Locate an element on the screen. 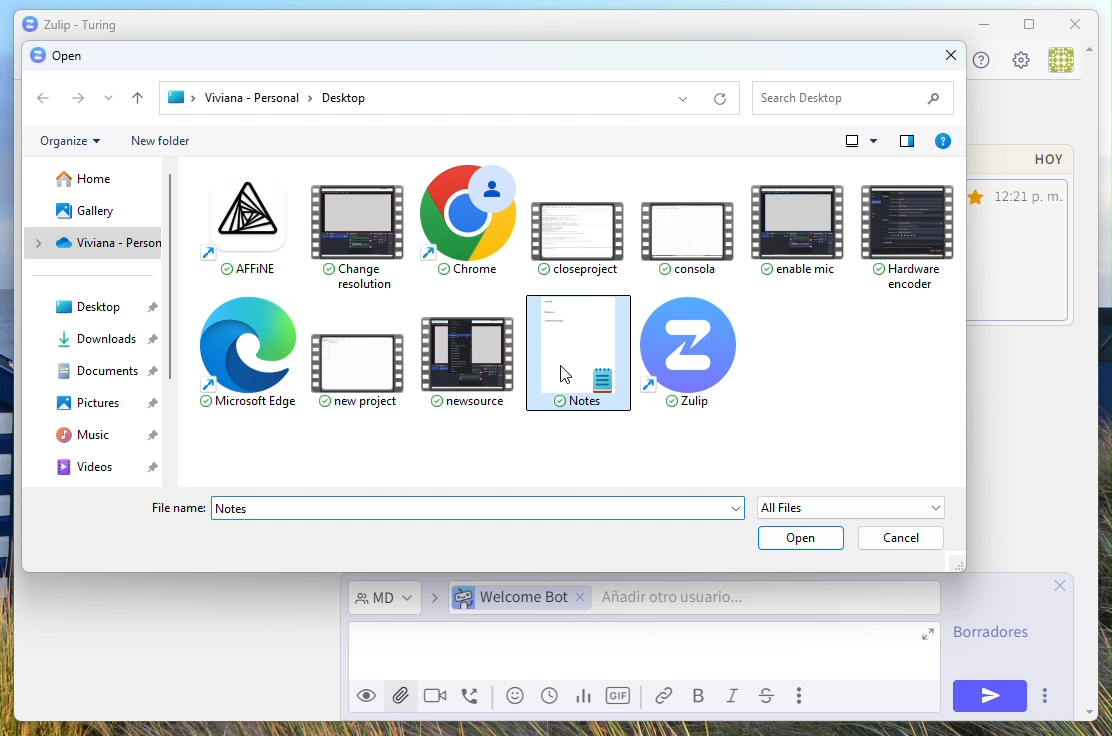  File name is located at coordinates (180, 508).